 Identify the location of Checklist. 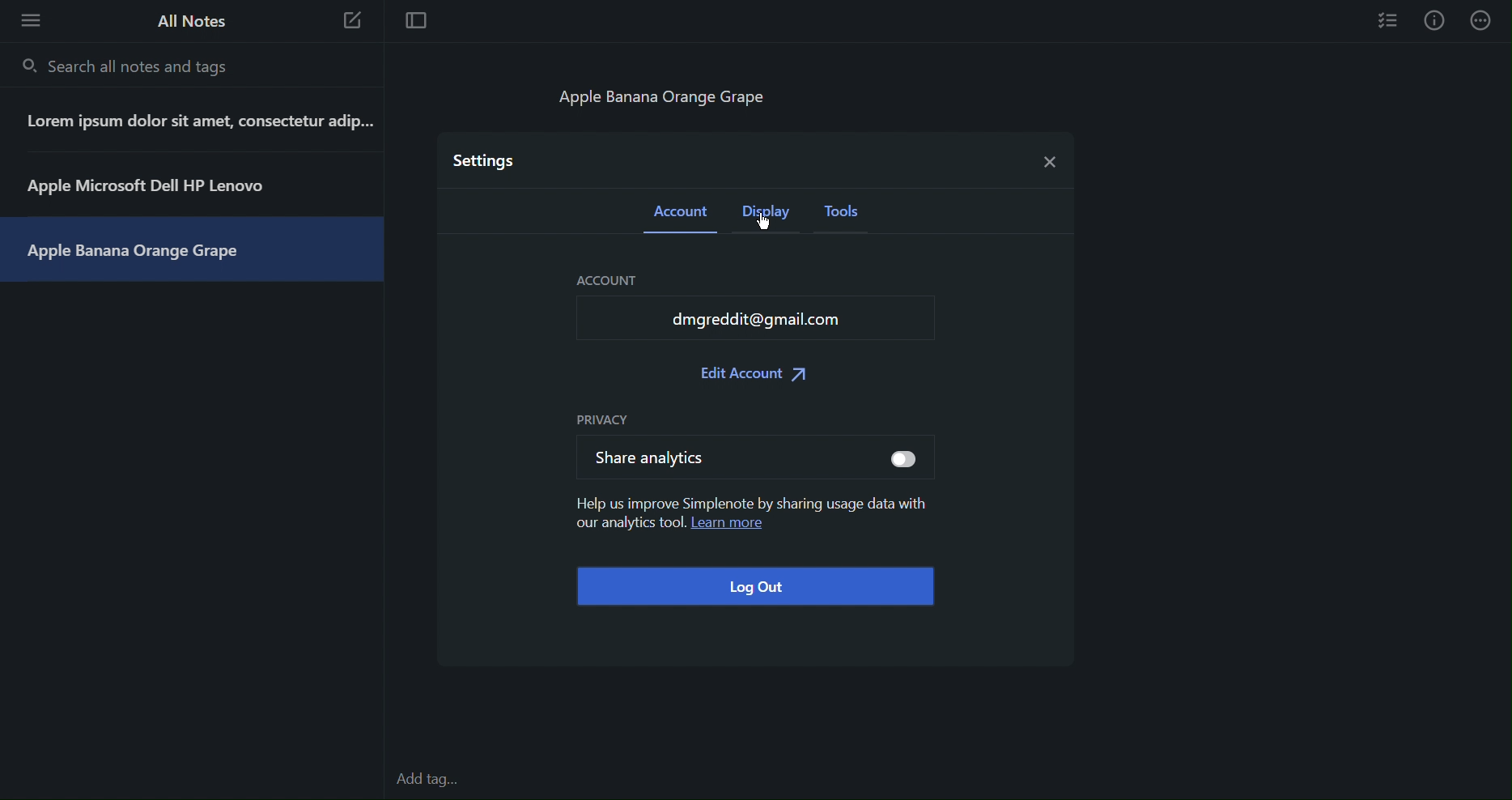
(1389, 19).